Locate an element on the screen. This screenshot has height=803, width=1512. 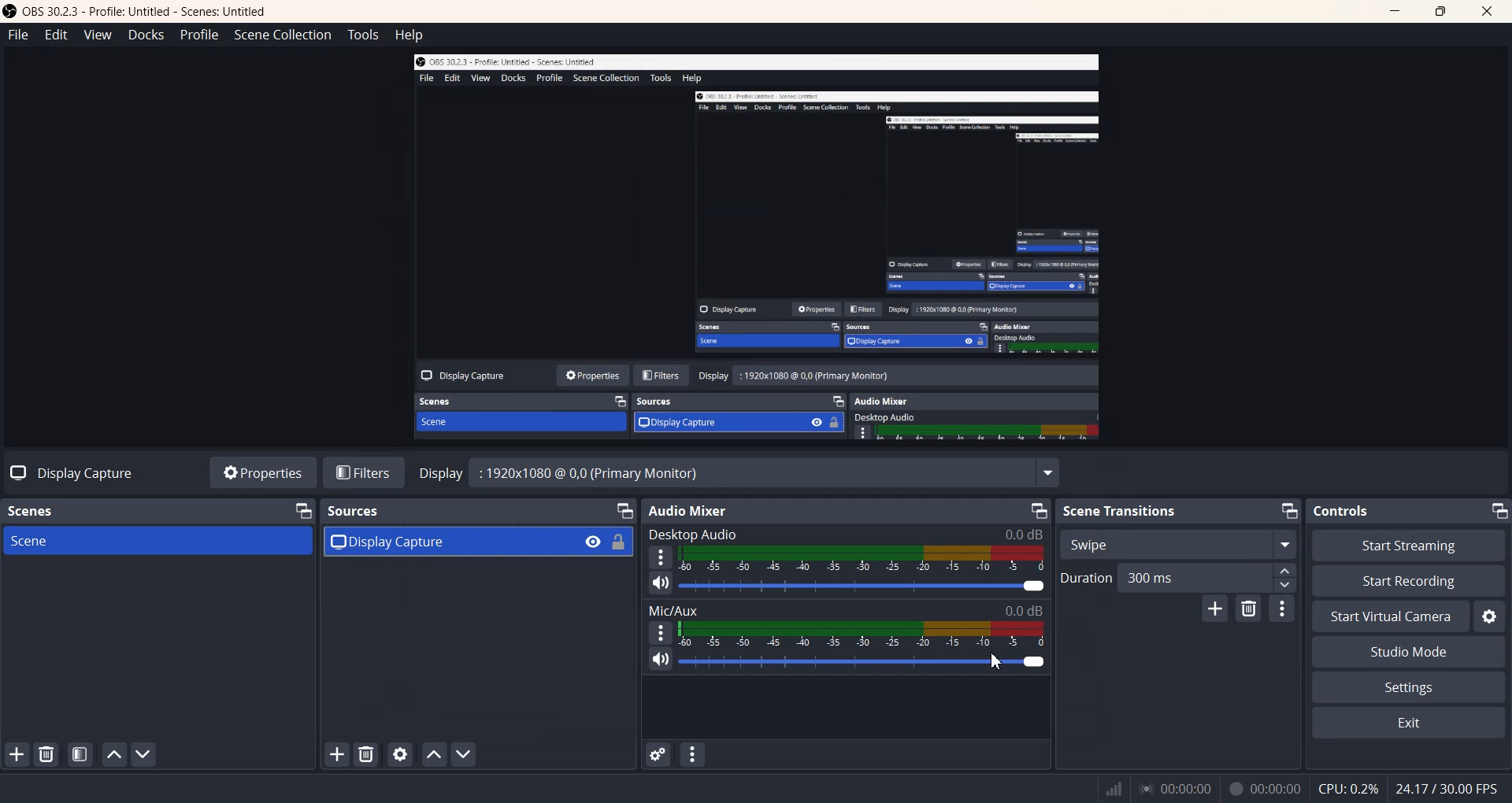
Mic/Aux is located at coordinates (845, 610).